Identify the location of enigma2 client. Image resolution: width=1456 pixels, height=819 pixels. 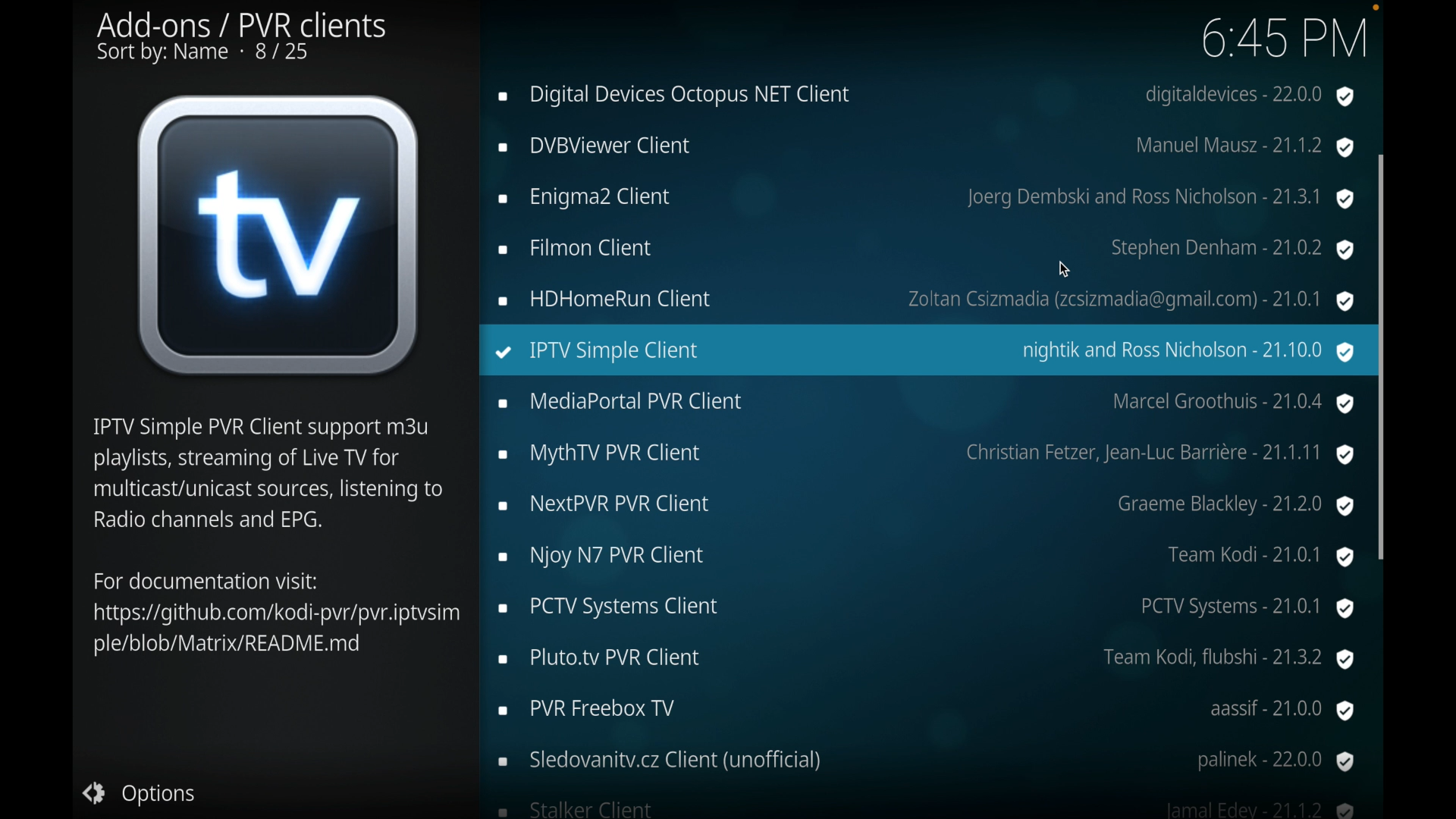
(925, 199).